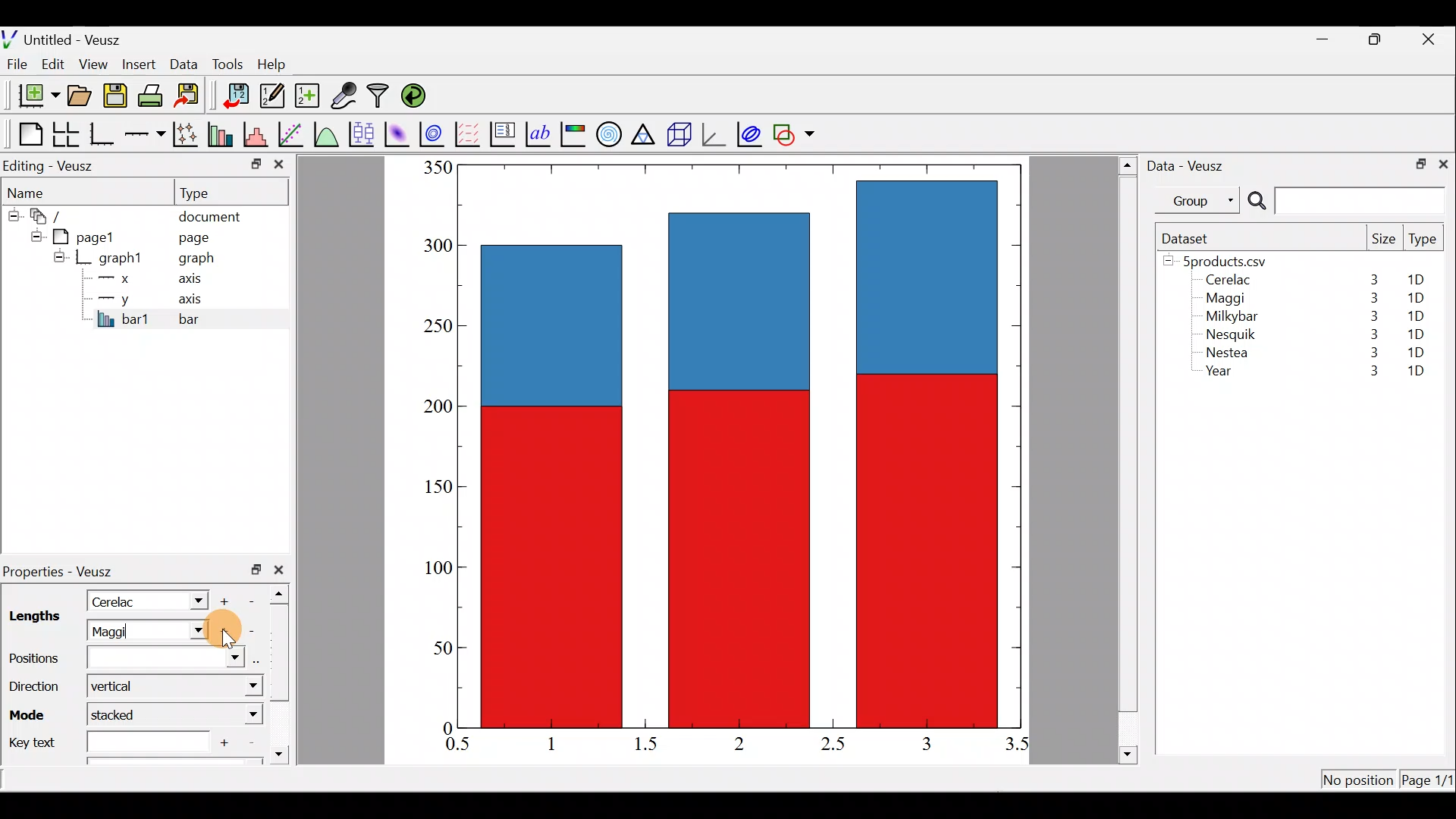  I want to click on 350, so click(437, 167).